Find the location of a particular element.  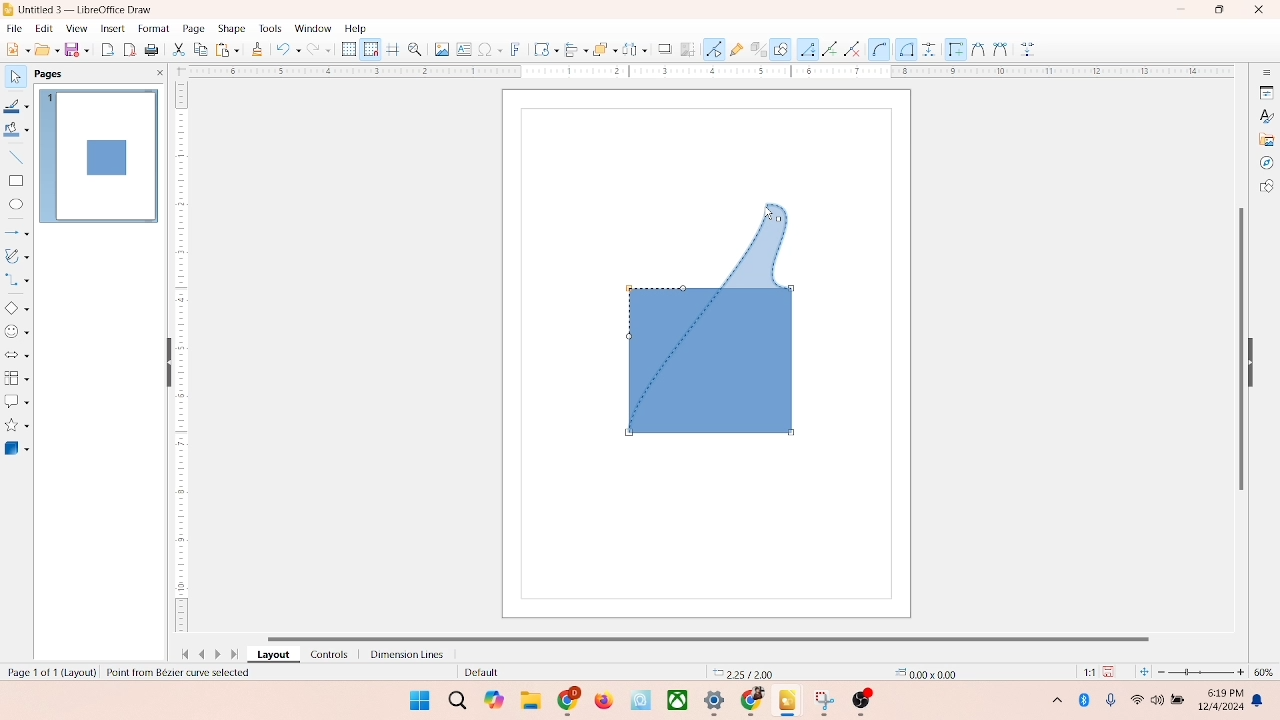

layout is located at coordinates (272, 655).